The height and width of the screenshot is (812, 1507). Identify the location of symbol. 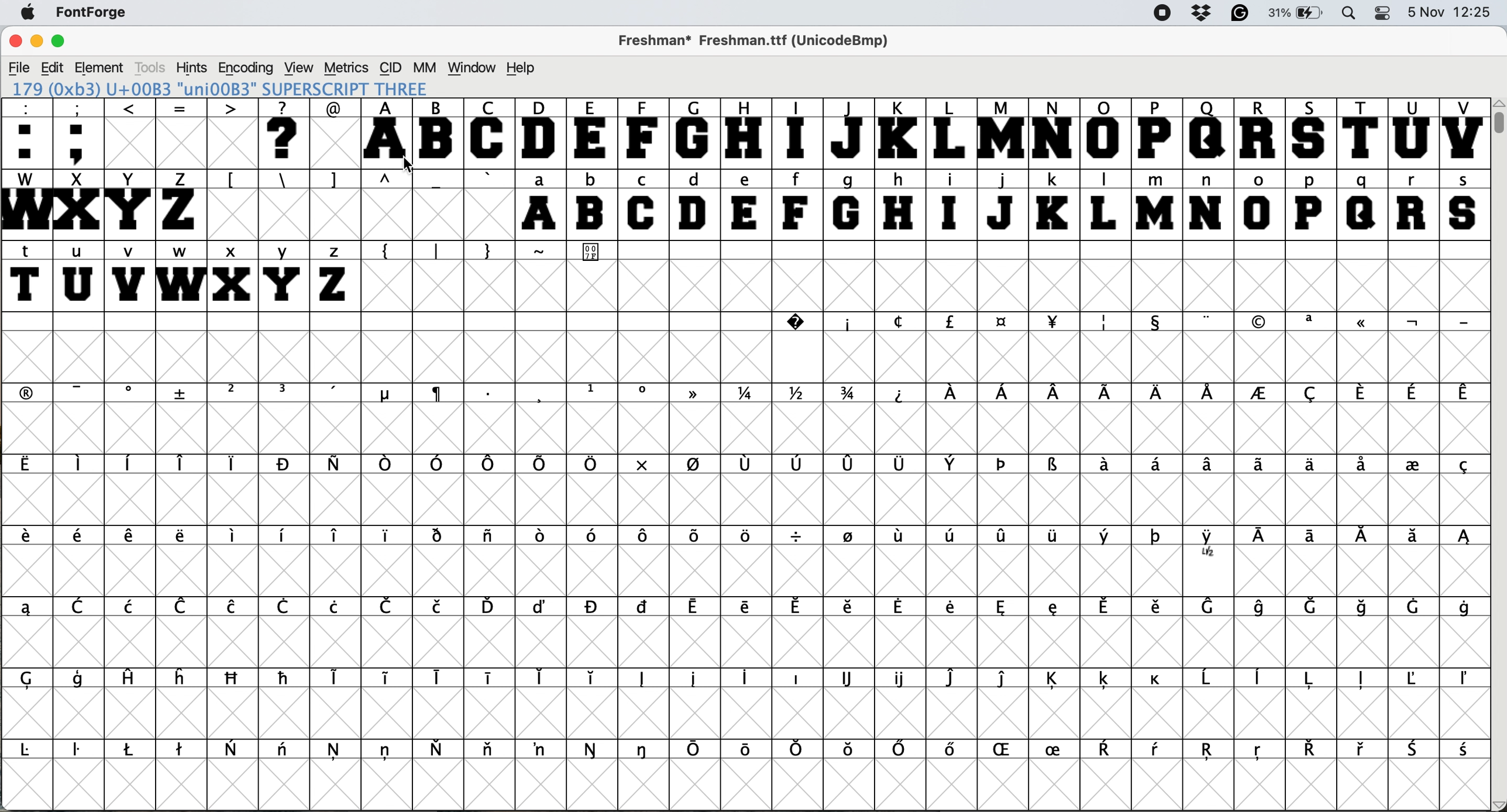
(798, 749).